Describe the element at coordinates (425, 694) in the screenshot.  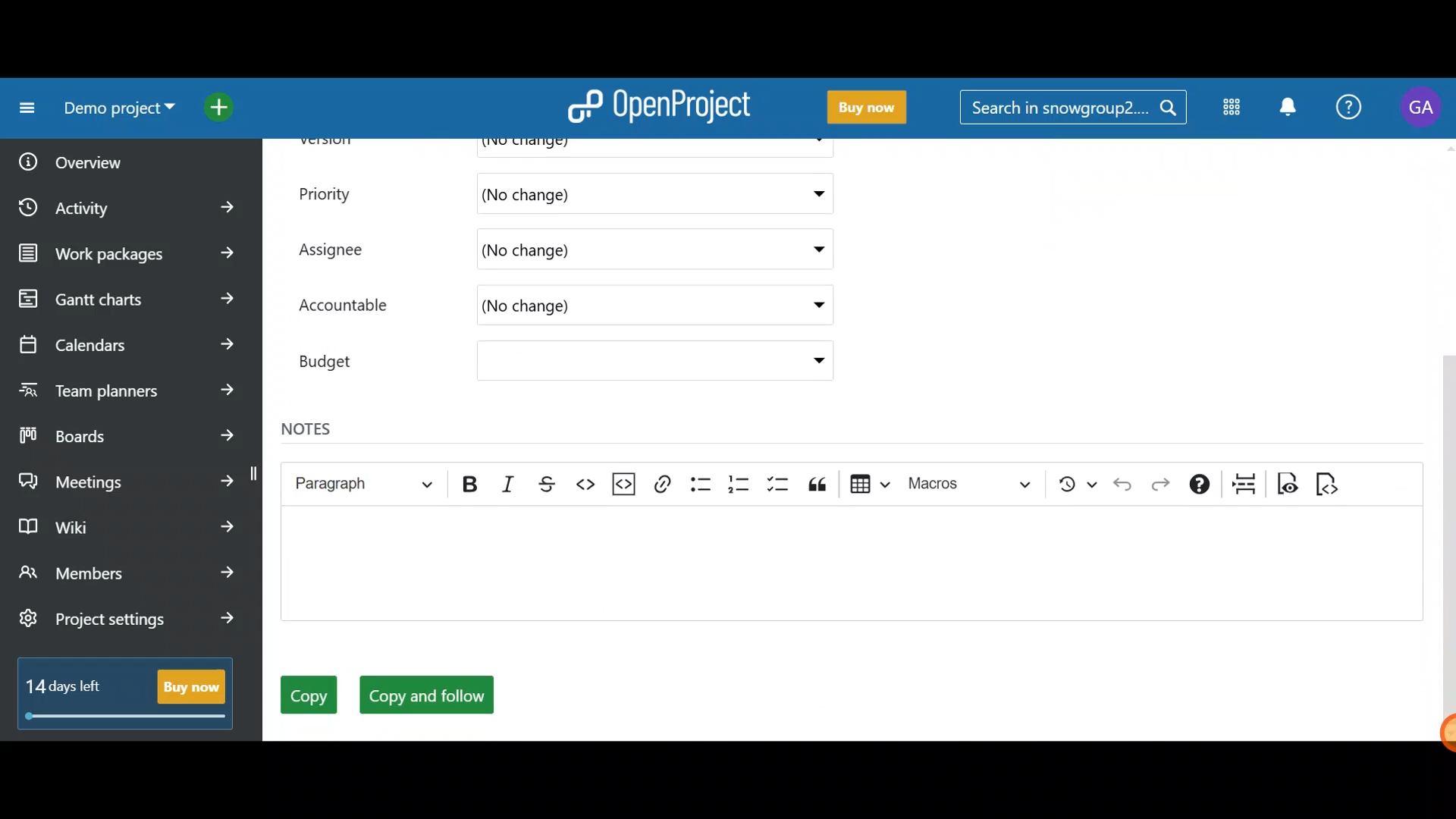
I see `Copy and follow` at that location.